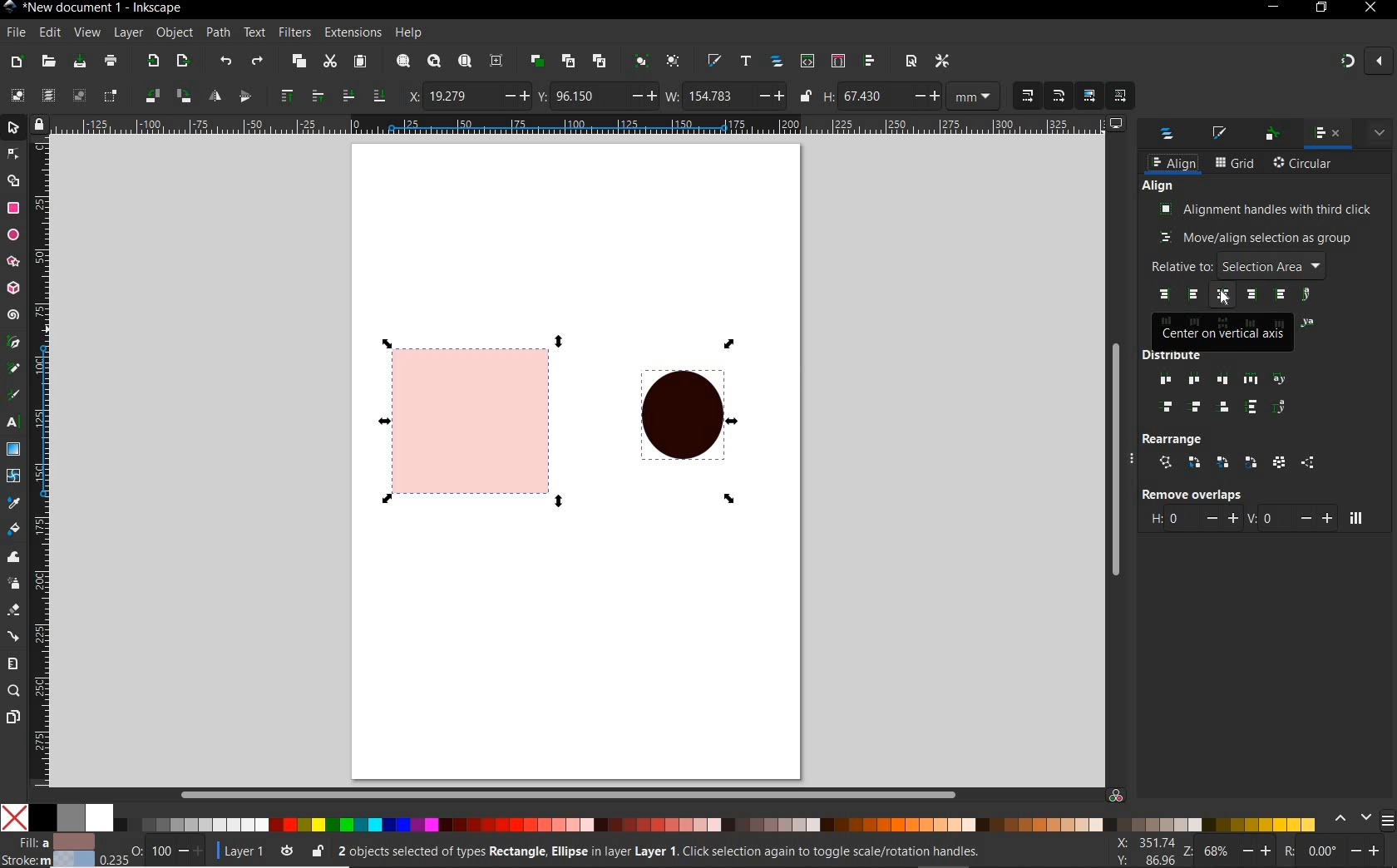  Describe the element at coordinates (679, 854) in the screenshot. I see `no object selected` at that location.